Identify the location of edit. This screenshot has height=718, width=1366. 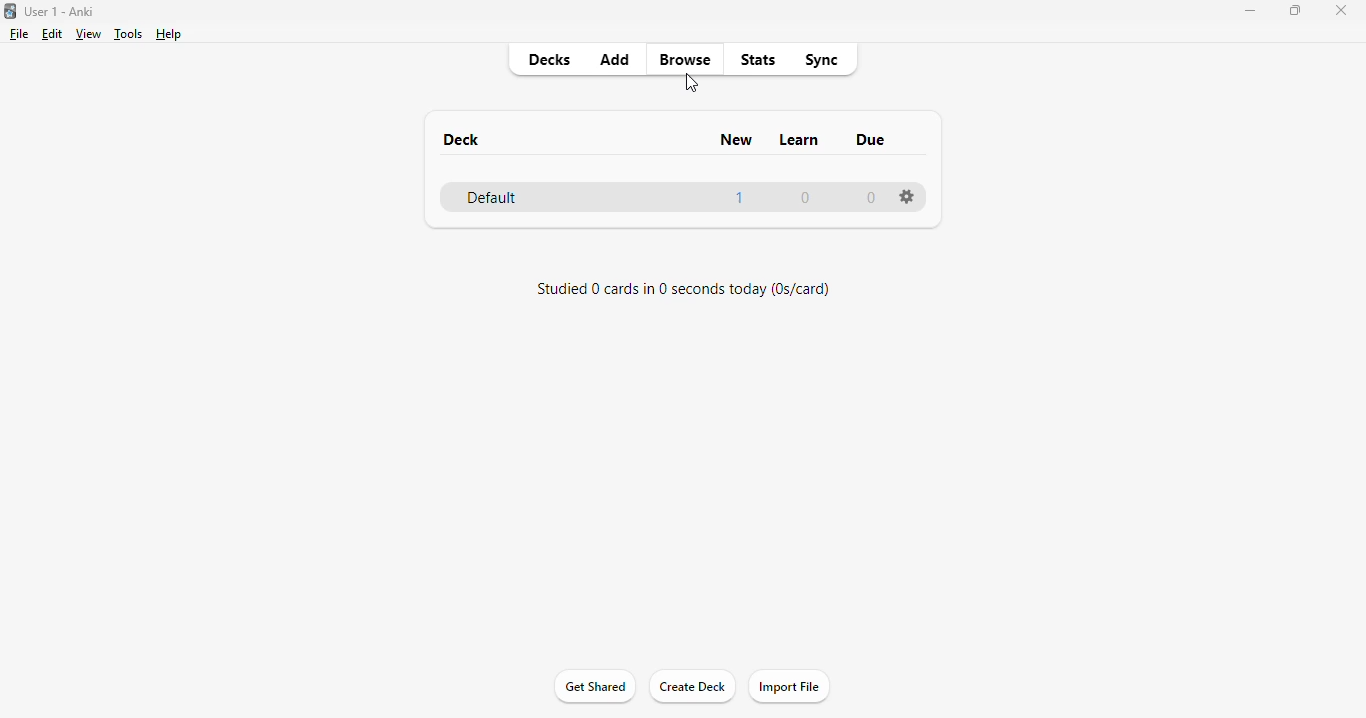
(52, 34).